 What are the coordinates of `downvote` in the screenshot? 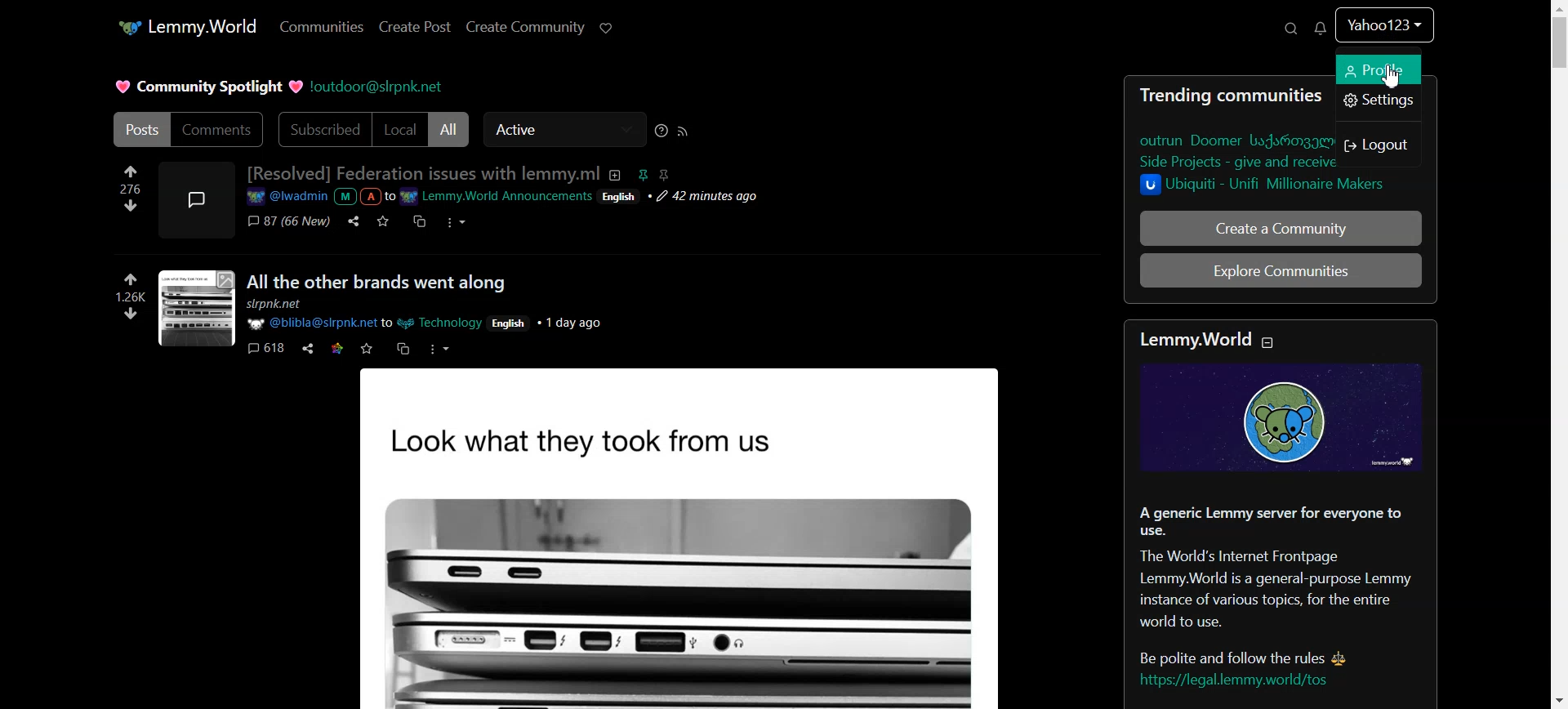 It's located at (131, 206).